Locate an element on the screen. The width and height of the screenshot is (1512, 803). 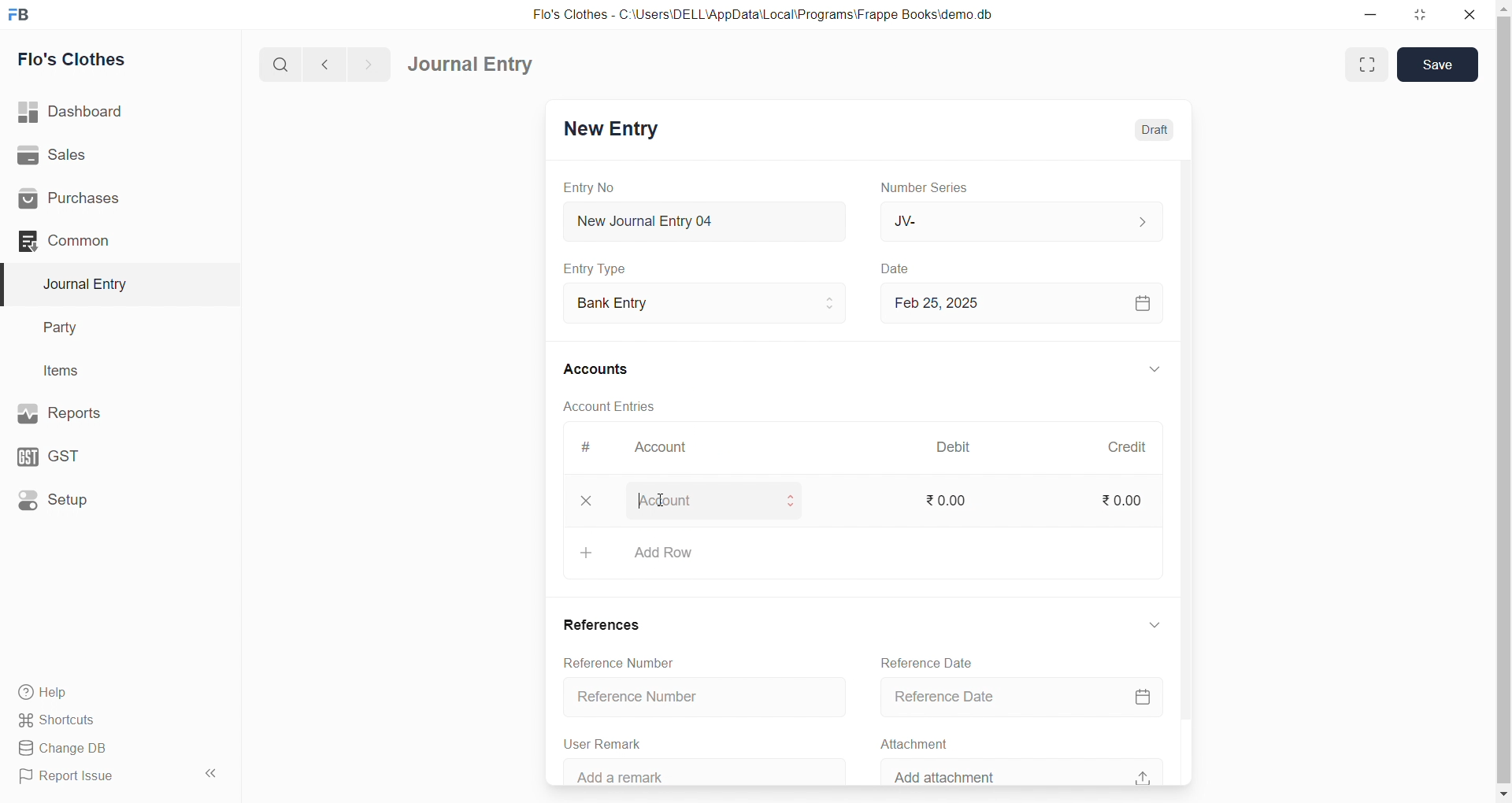
Add attachment is located at coordinates (1027, 770).